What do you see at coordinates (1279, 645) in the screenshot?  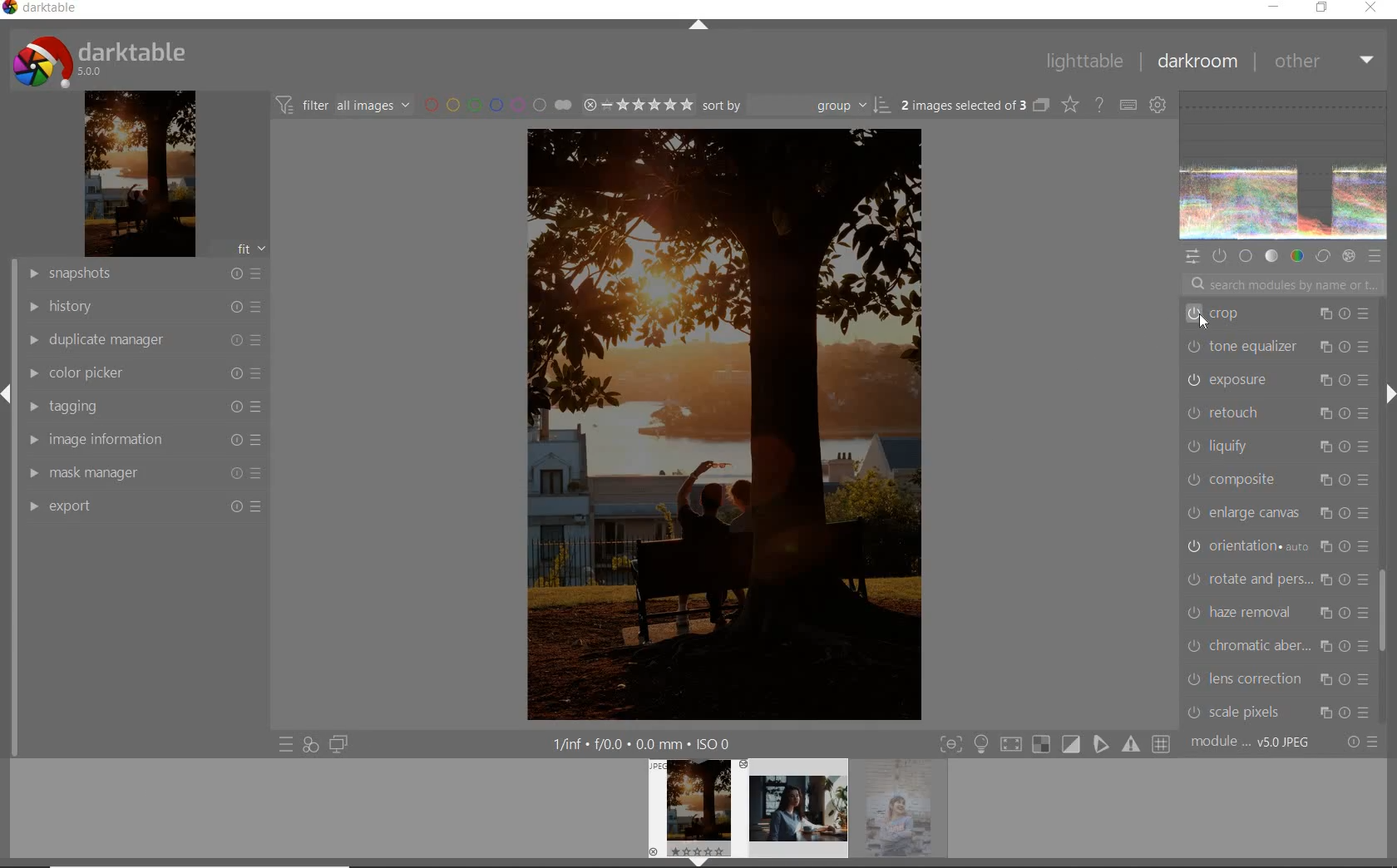 I see `chromatic` at bounding box center [1279, 645].